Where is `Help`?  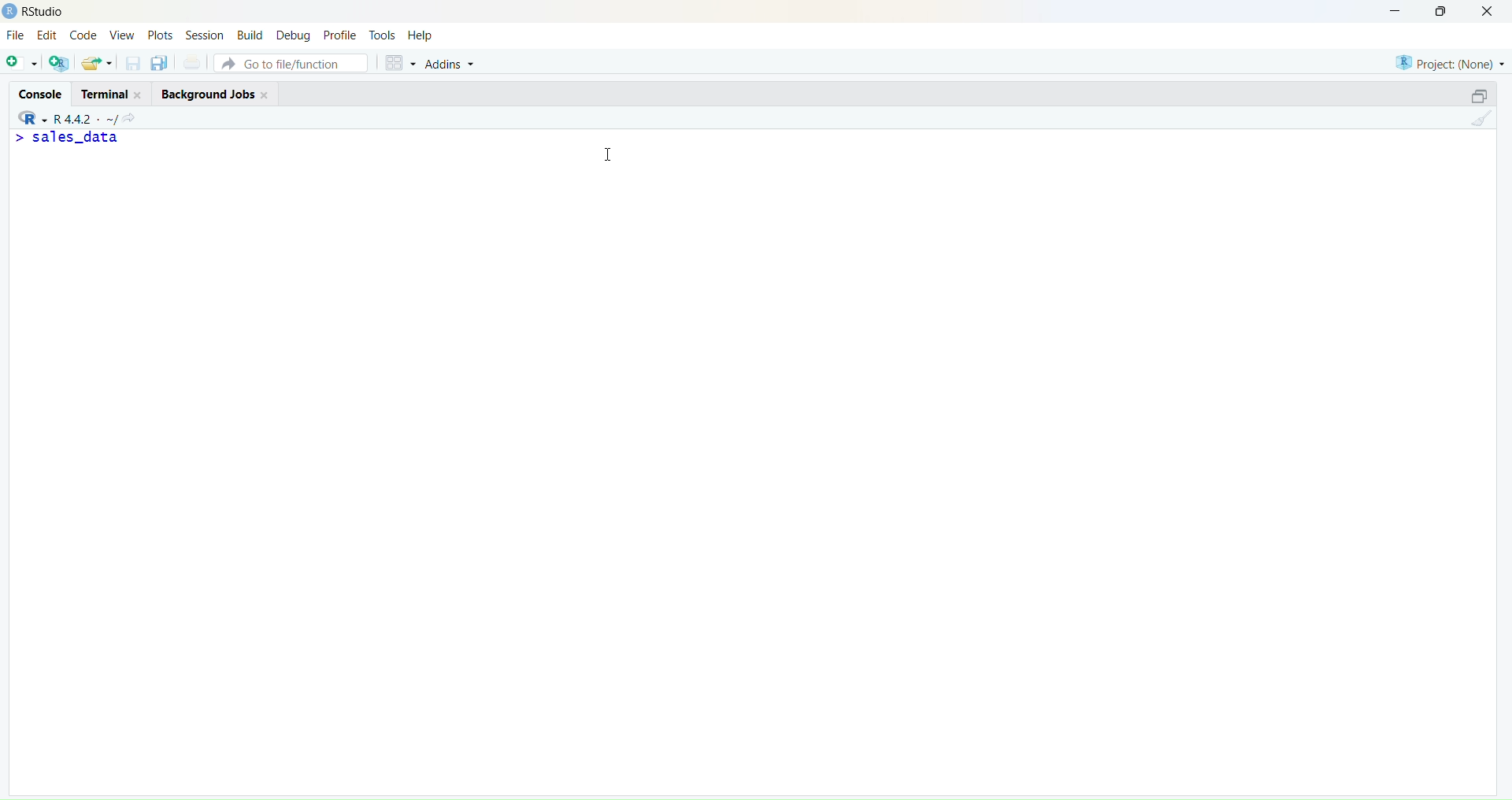
Help is located at coordinates (423, 36).